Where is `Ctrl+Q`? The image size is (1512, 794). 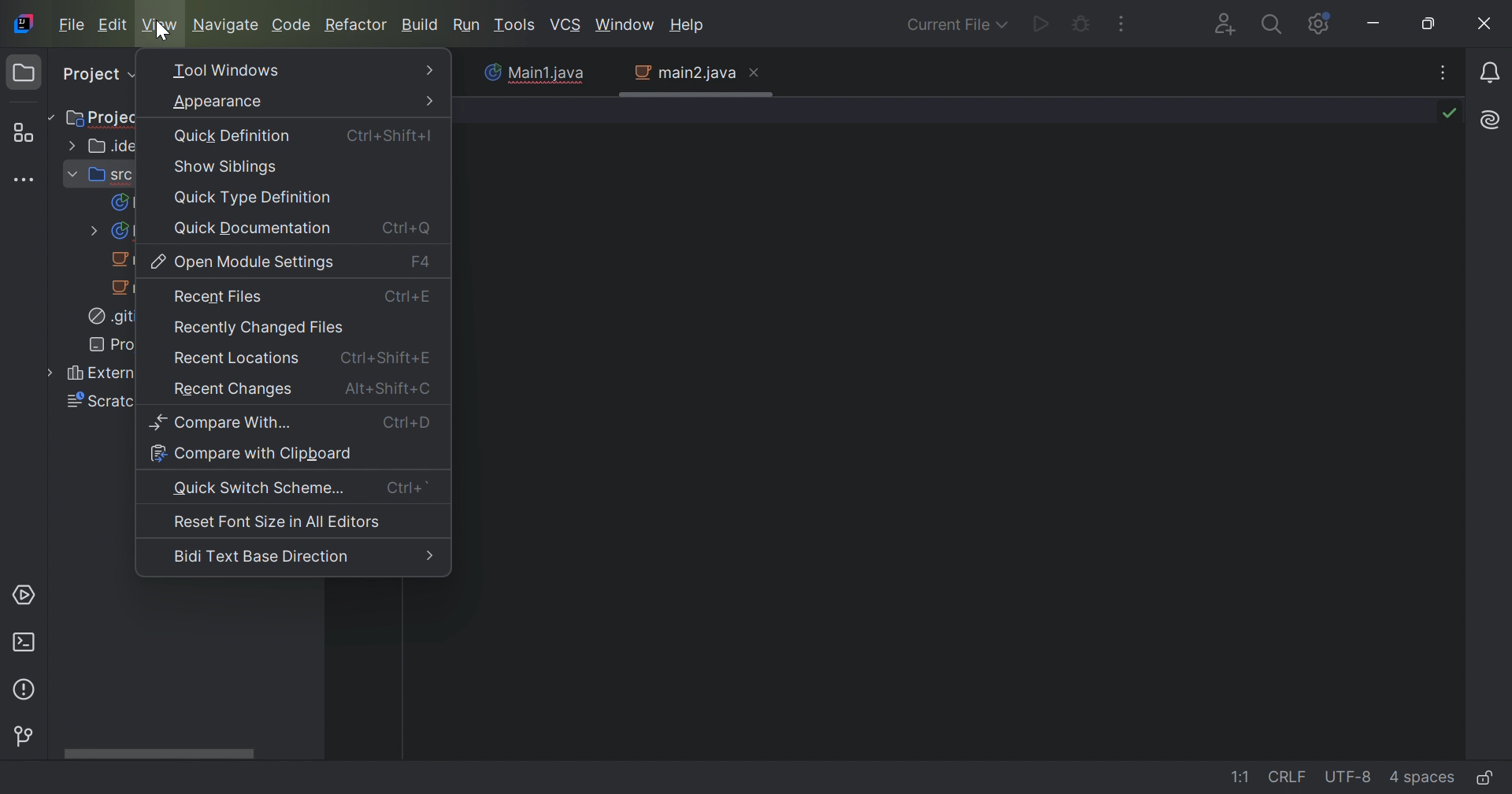
Ctrl+Q is located at coordinates (405, 228).